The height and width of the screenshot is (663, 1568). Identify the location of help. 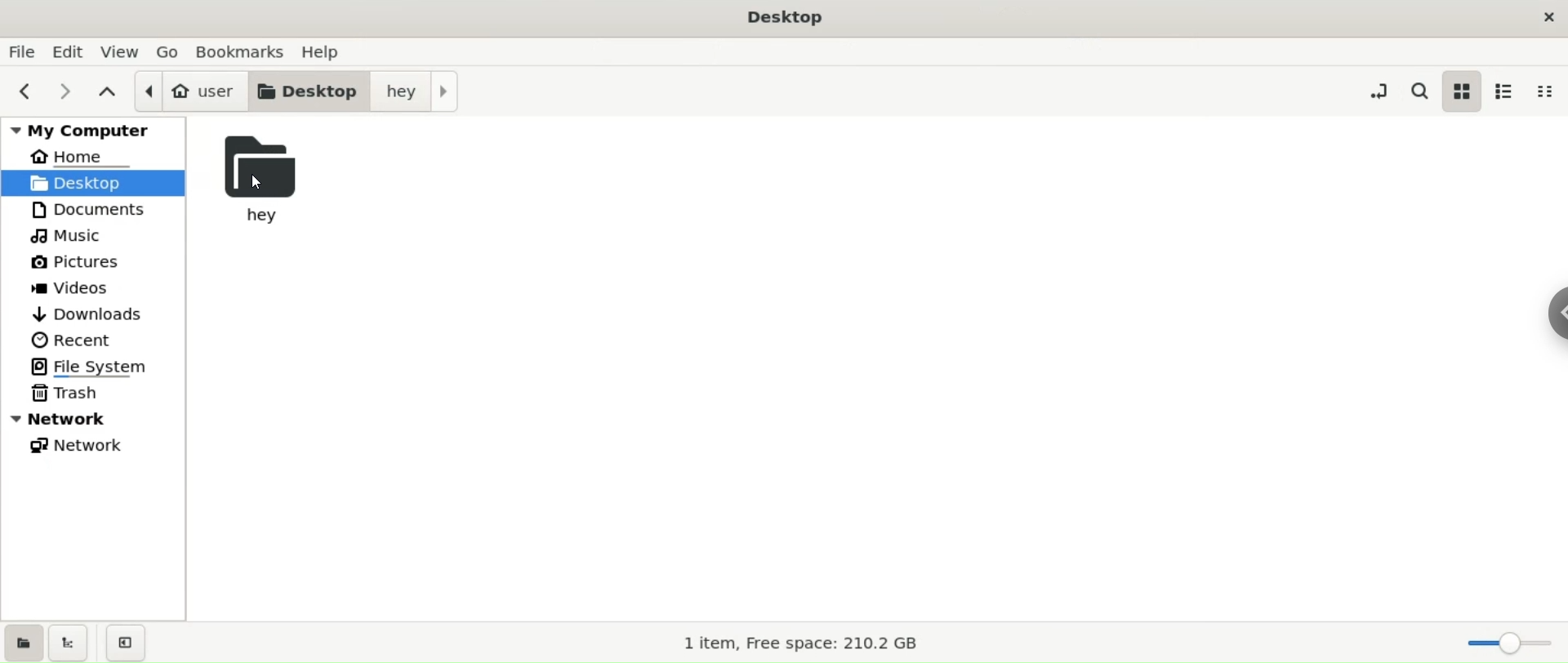
(329, 50).